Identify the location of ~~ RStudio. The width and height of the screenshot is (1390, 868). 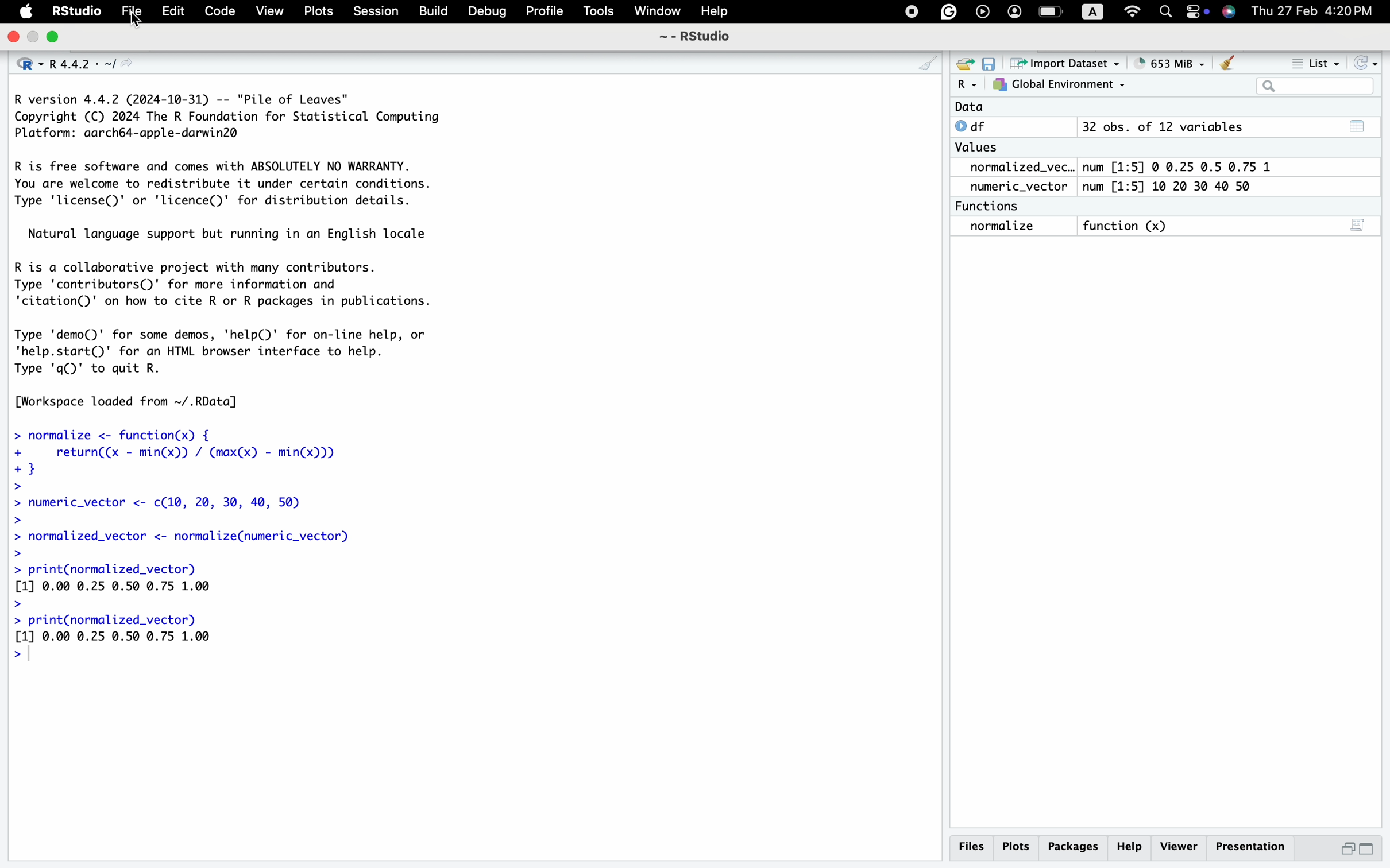
(694, 40).